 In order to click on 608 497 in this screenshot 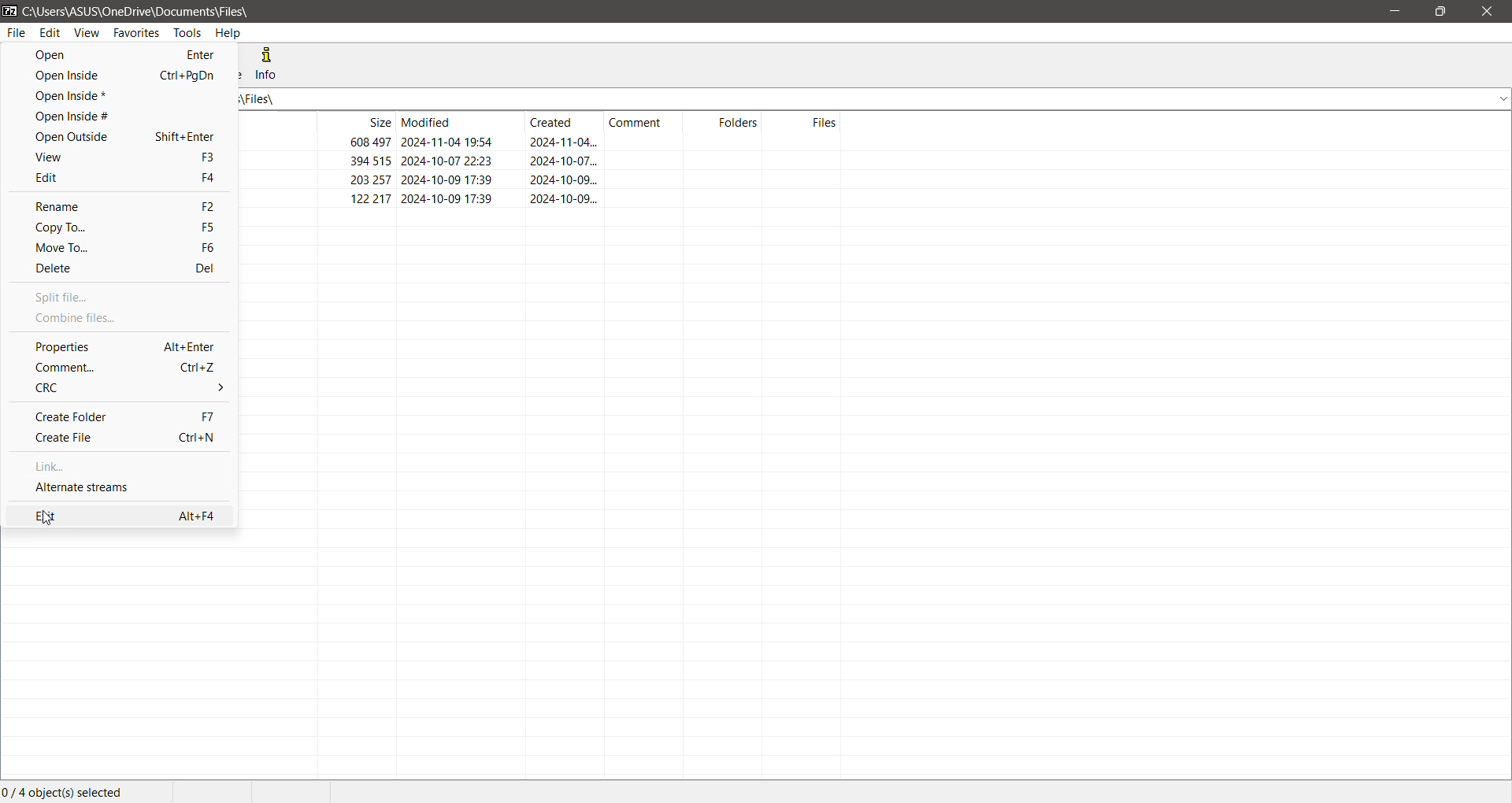, I will do `click(365, 142)`.